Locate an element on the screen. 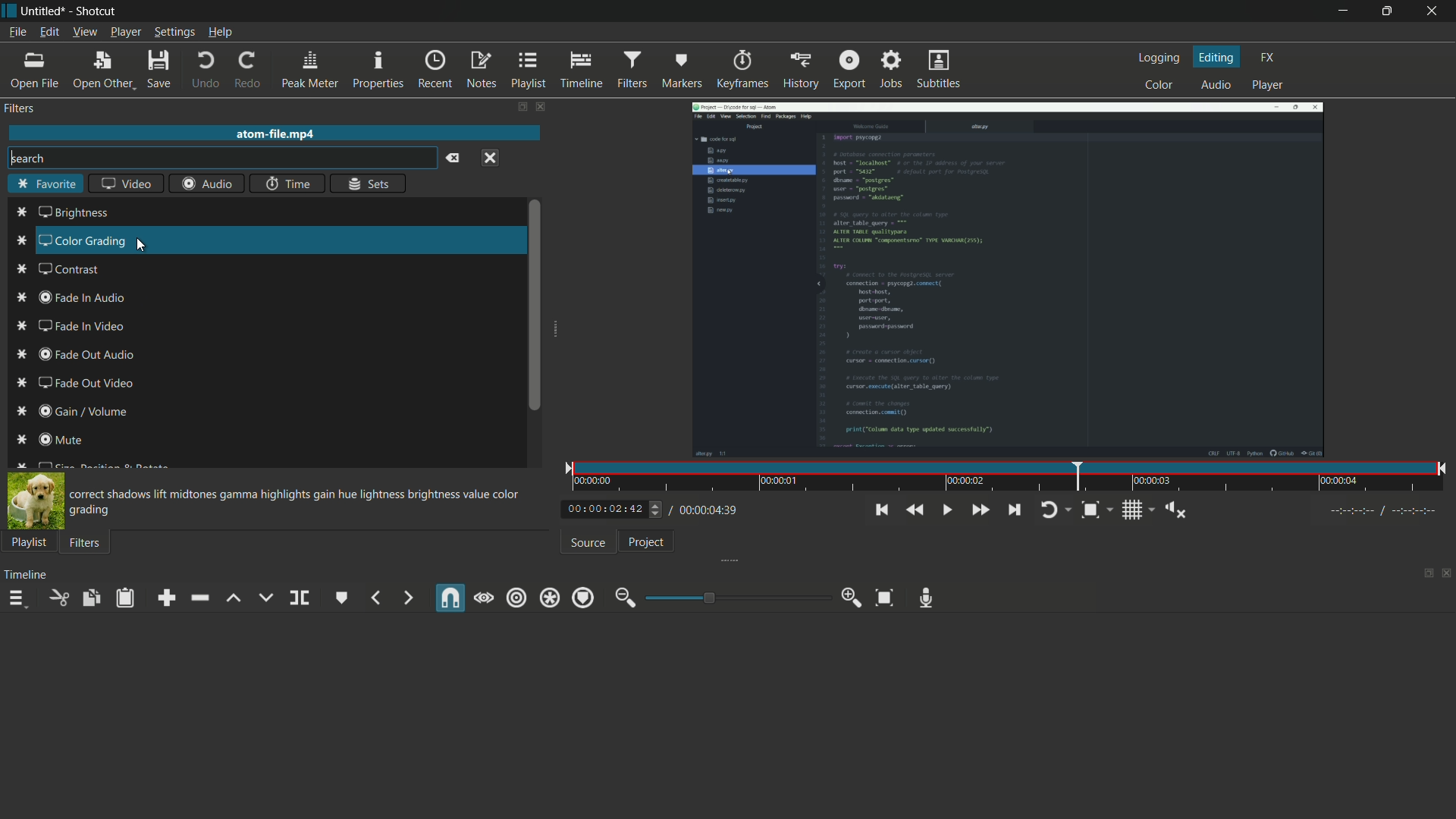 This screenshot has width=1456, height=819. export is located at coordinates (850, 68).